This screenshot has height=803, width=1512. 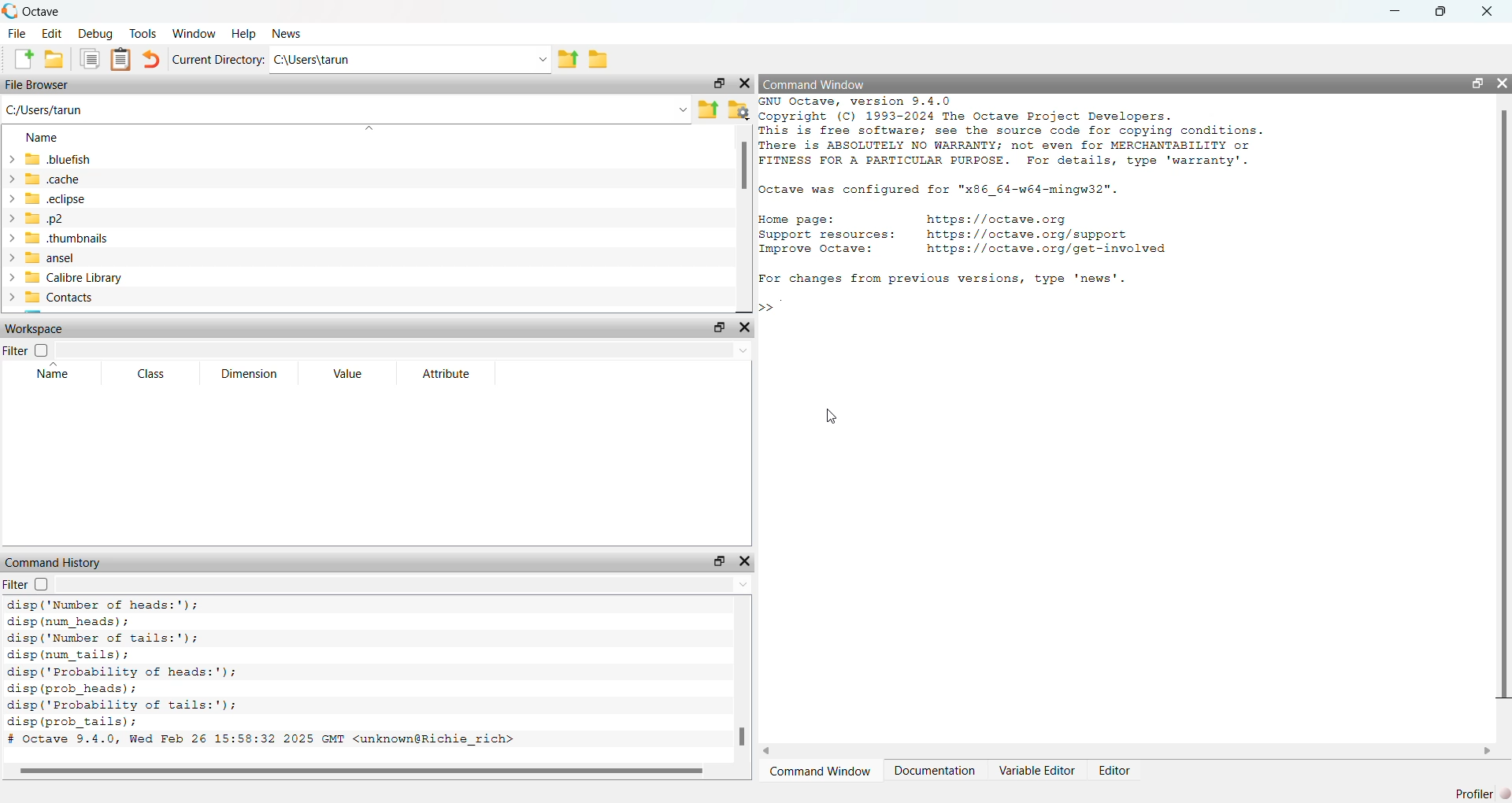 What do you see at coordinates (721, 561) in the screenshot?
I see `Undock Widget` at bounding box center [721, 561].